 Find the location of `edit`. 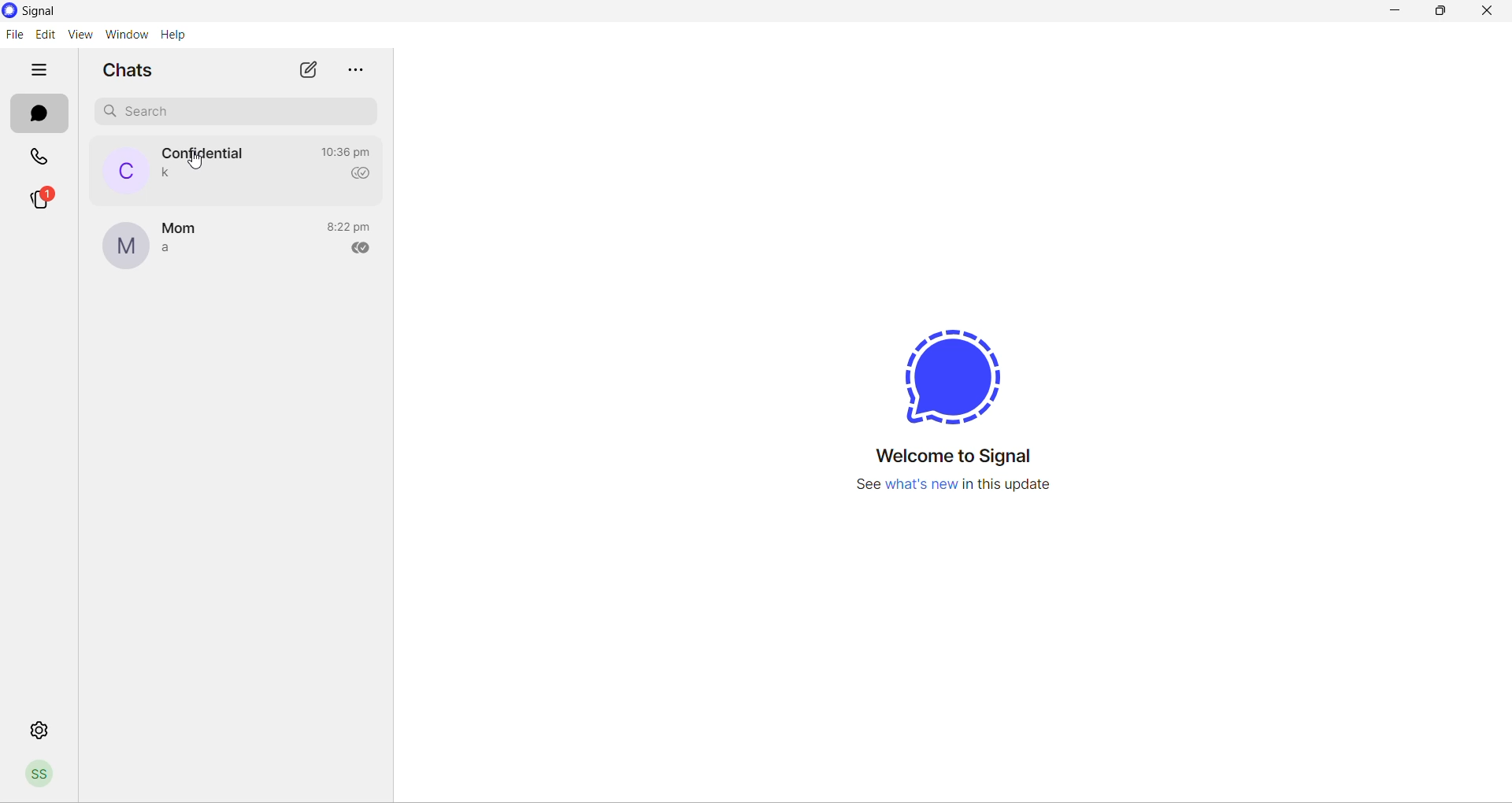

edit is located at coordinates (45, 35).